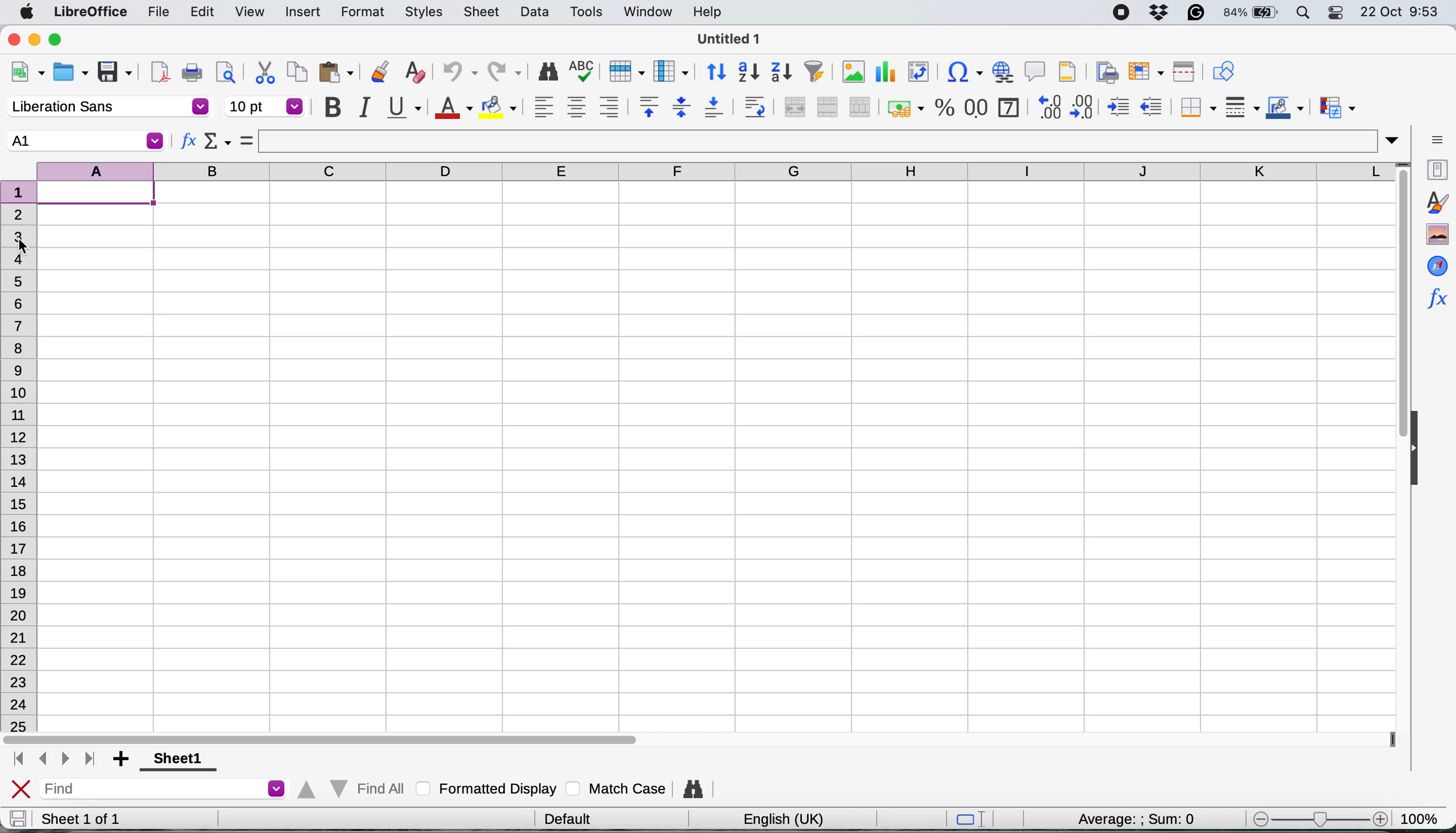 This screenshot has width=1456, height=833. Describe the element at coordinates (945, 108) in the screenshot. I see `format as percentage` at that location.